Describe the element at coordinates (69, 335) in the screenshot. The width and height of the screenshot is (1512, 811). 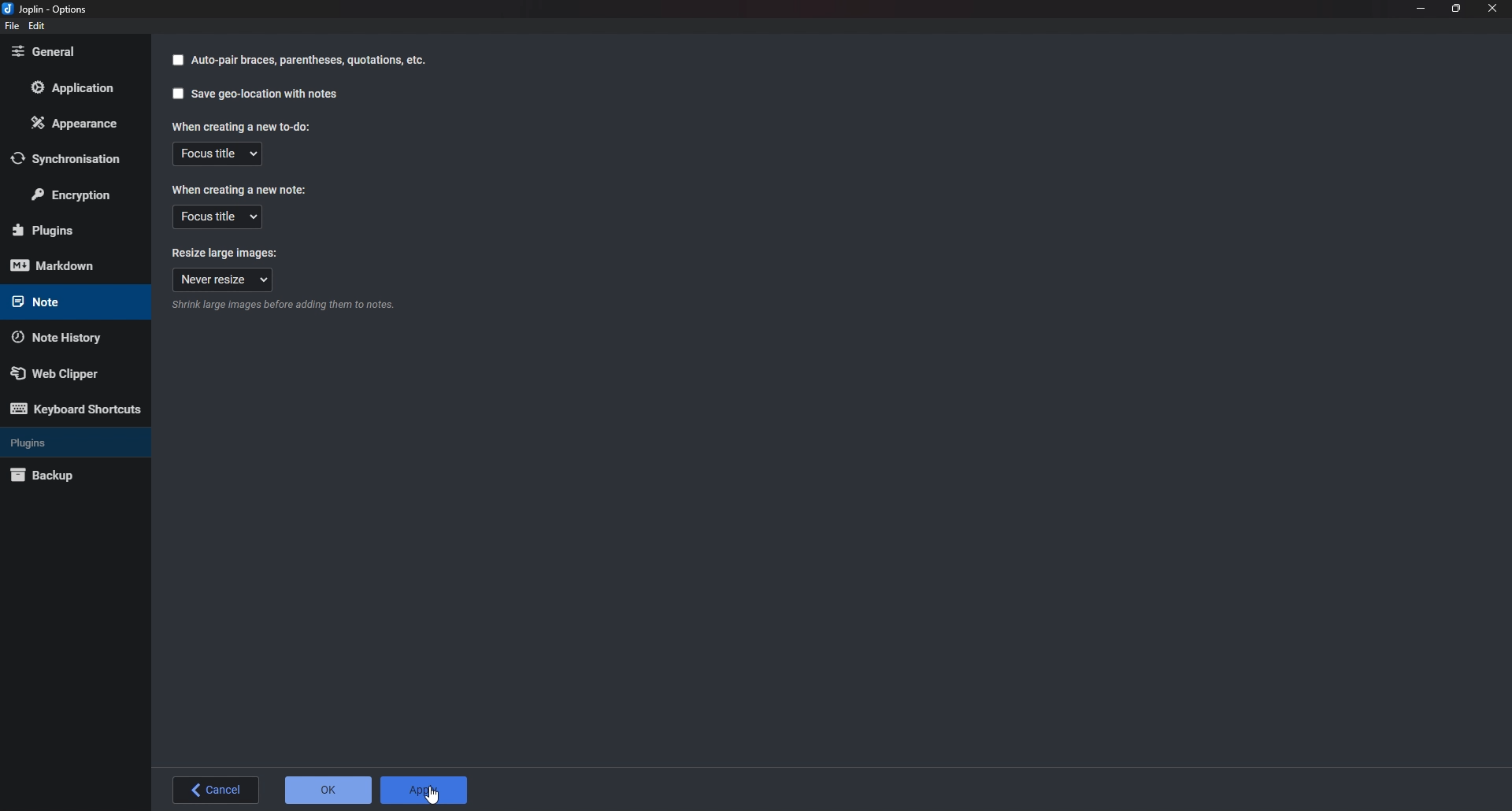
I see `Note history` at that location.